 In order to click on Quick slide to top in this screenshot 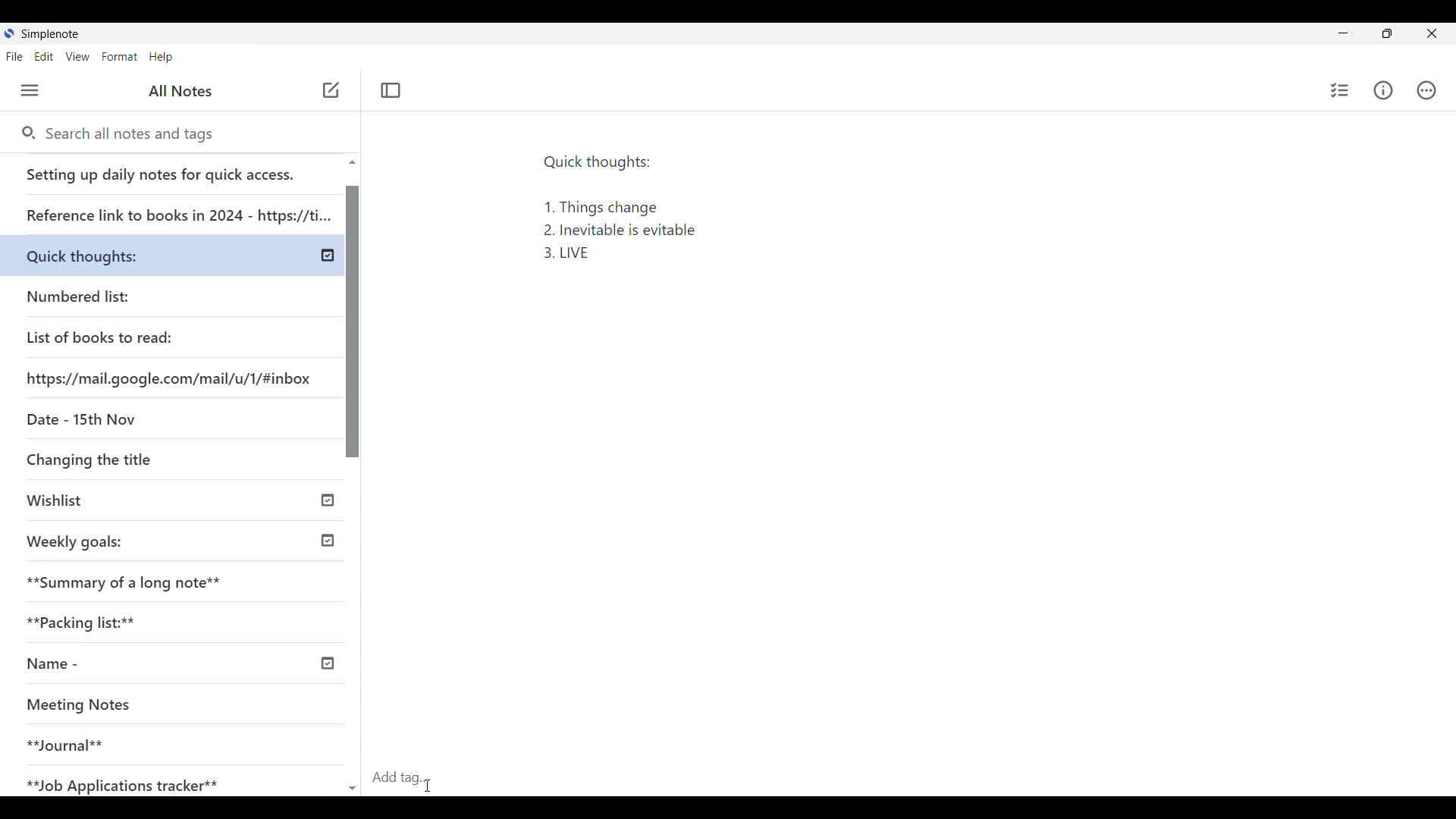, I will do `click(353, 789)`.